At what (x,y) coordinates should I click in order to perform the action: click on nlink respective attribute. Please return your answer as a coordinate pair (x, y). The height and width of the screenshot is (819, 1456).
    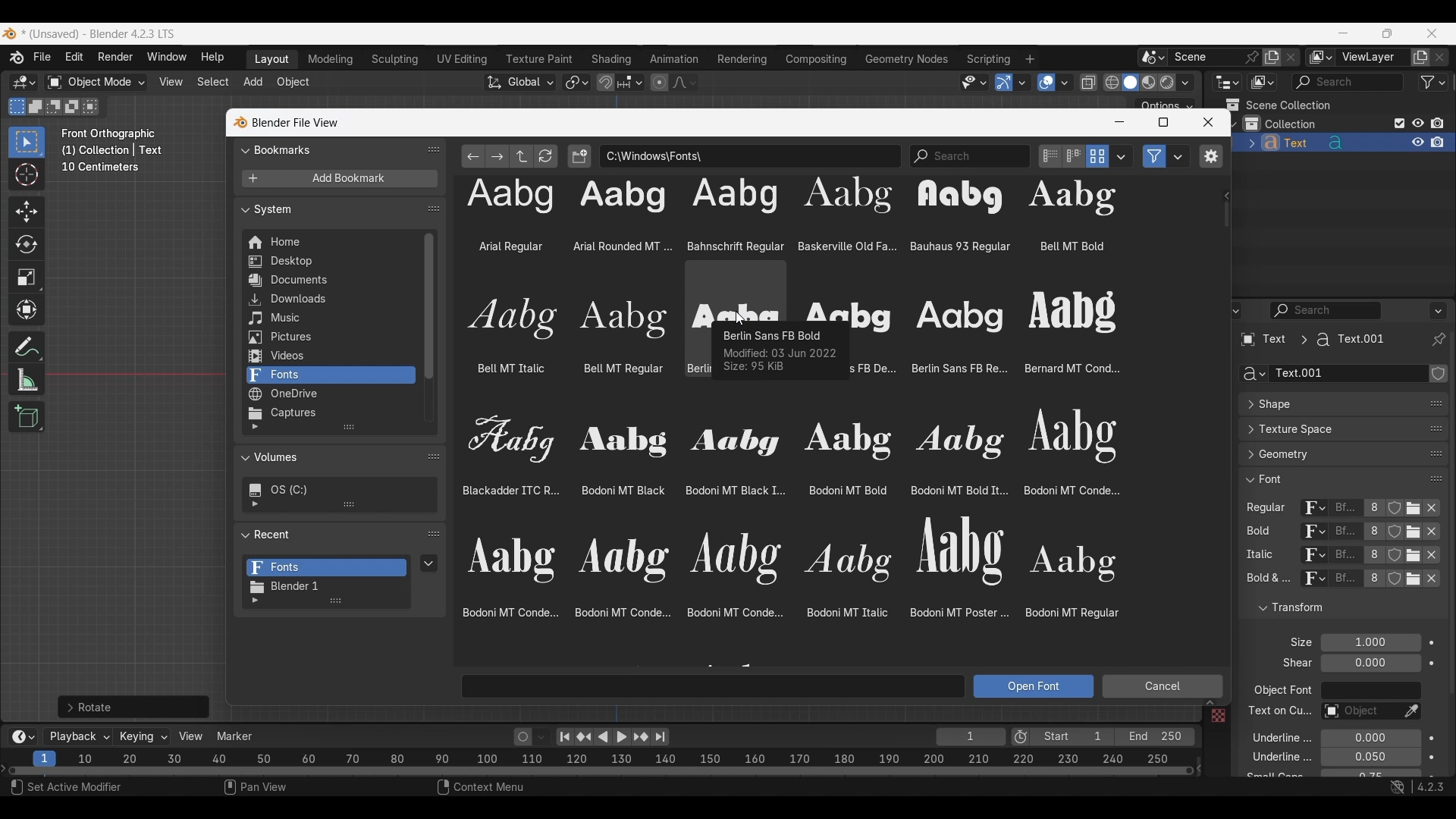
    Looking at the image, I should click on (1406, 555).